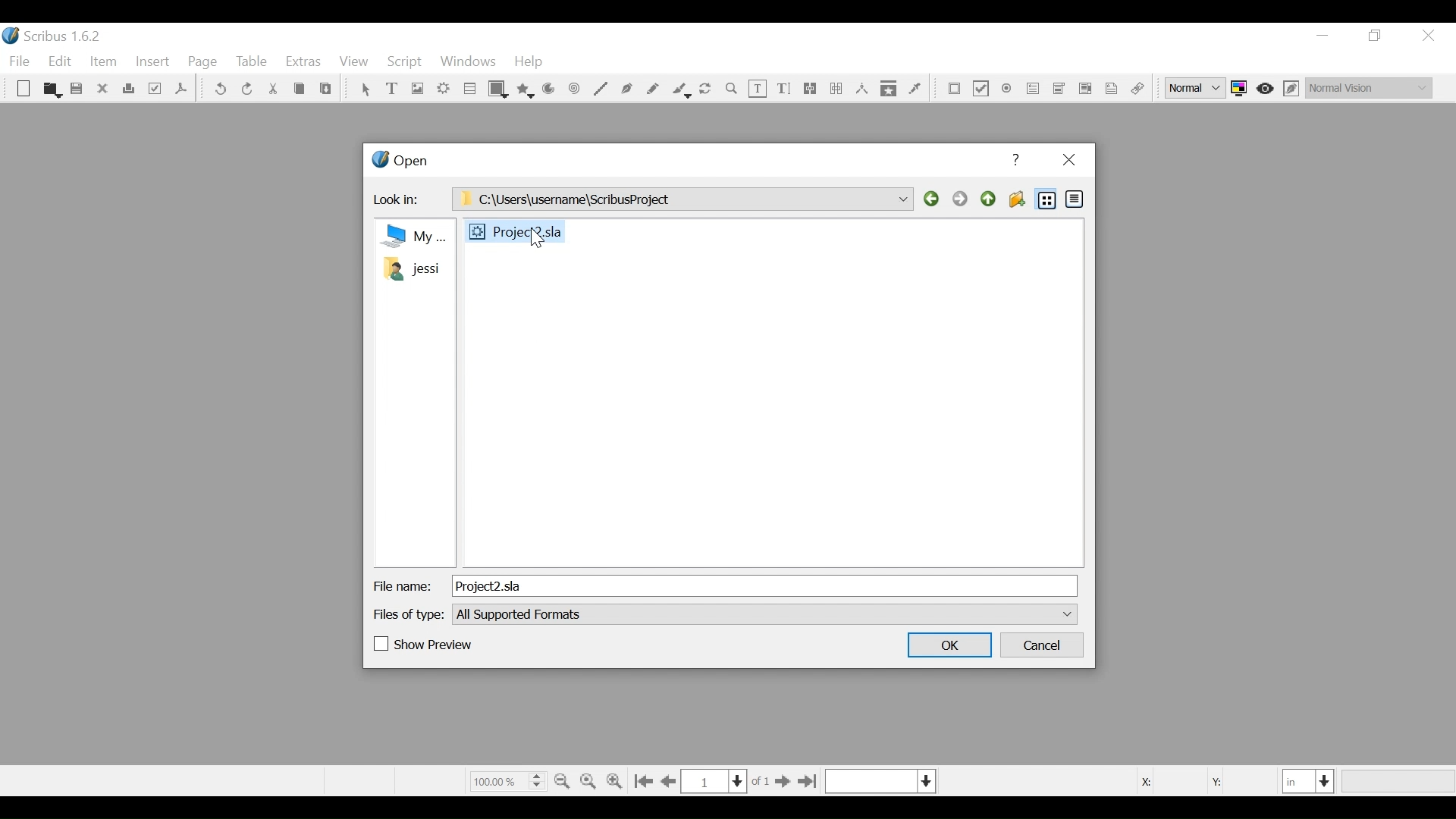  Describe the element at coordinates (104, 89) in the screenshot. I see `Close` at that location.